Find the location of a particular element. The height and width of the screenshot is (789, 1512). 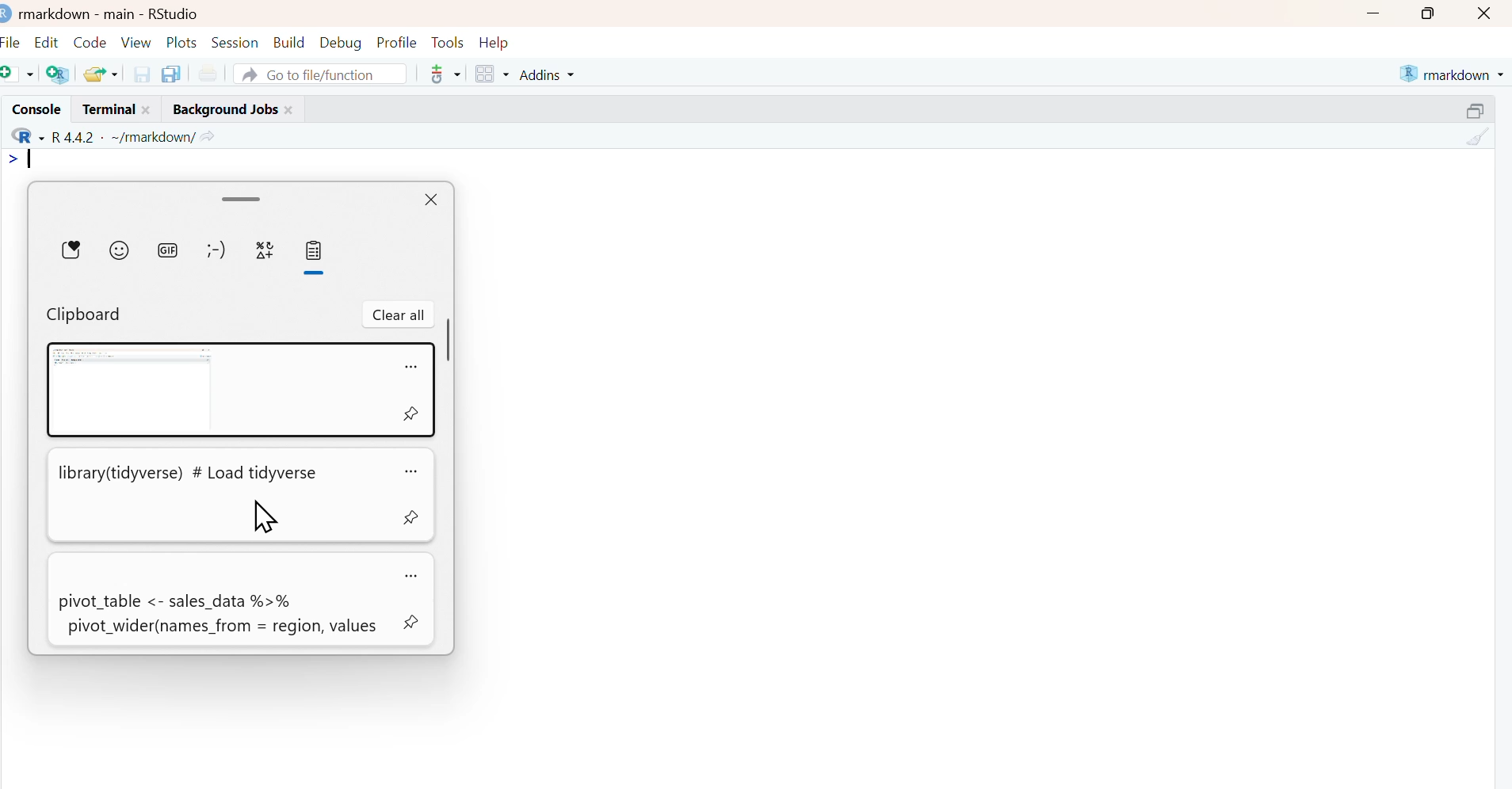

Build is located at coordinates (290, 39).